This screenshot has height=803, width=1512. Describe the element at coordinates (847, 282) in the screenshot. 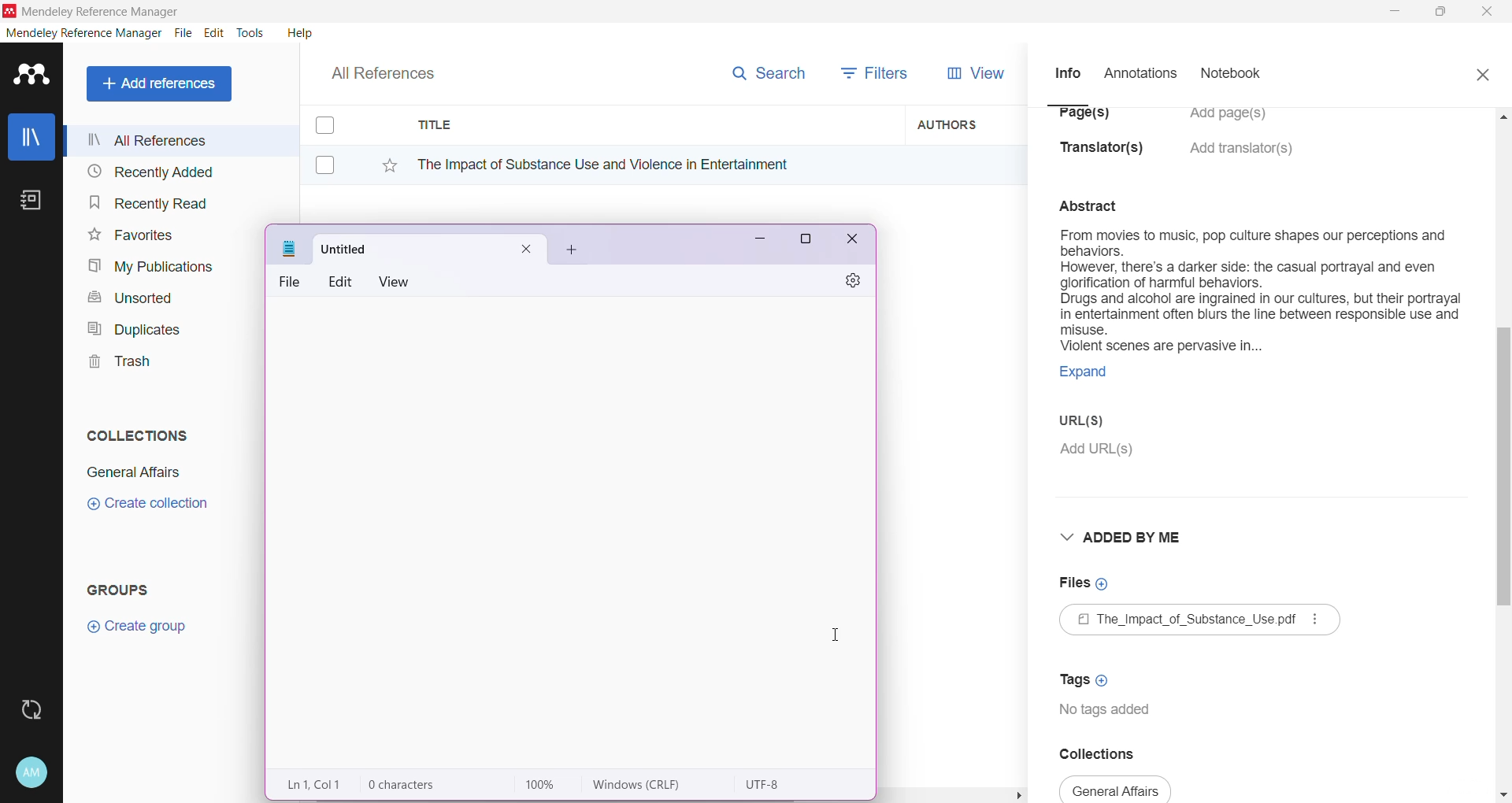

I see `Settings` at that location.